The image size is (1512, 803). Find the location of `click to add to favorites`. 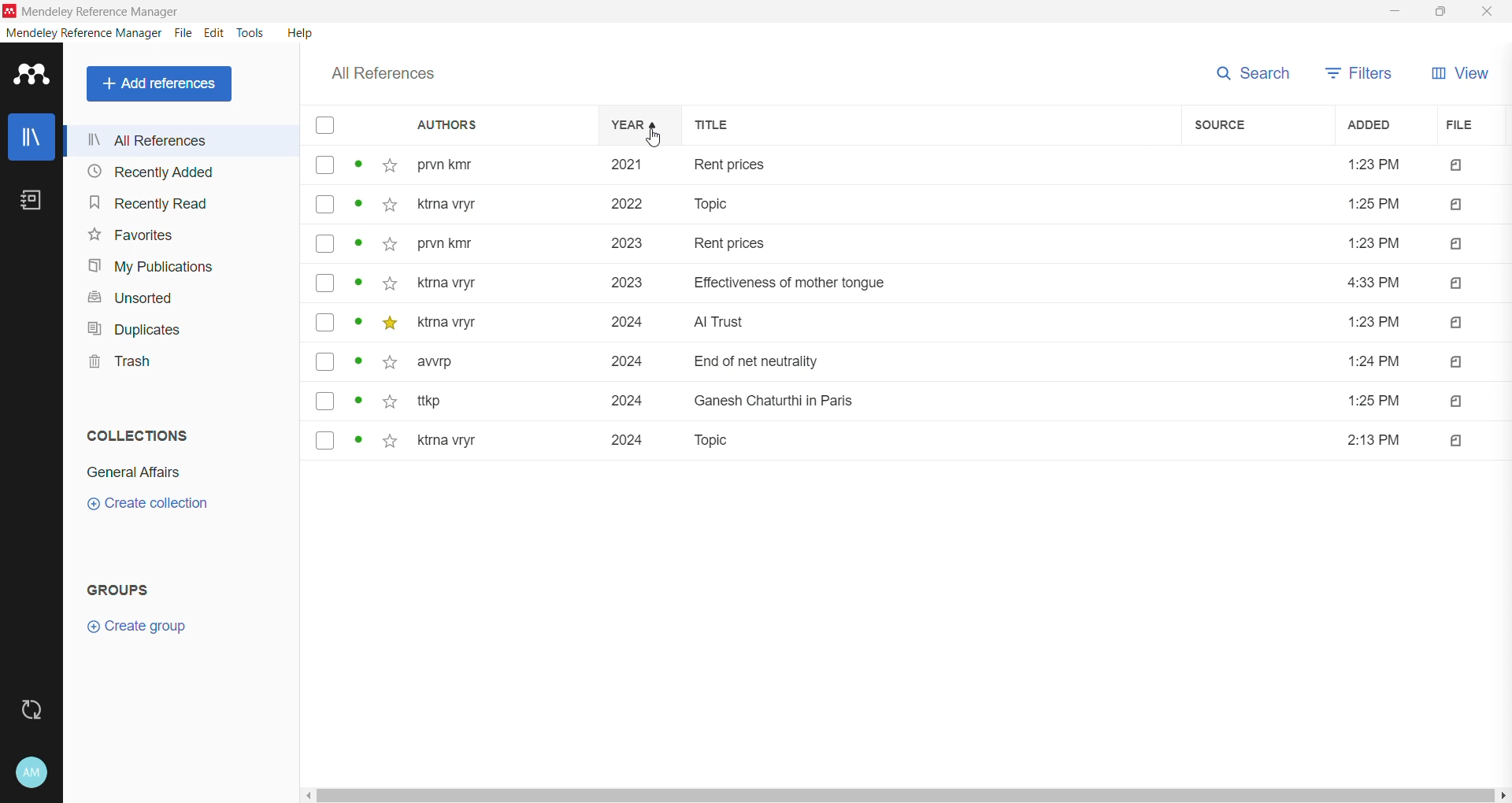

click to add to favorites is located at coordinates (390, 205).